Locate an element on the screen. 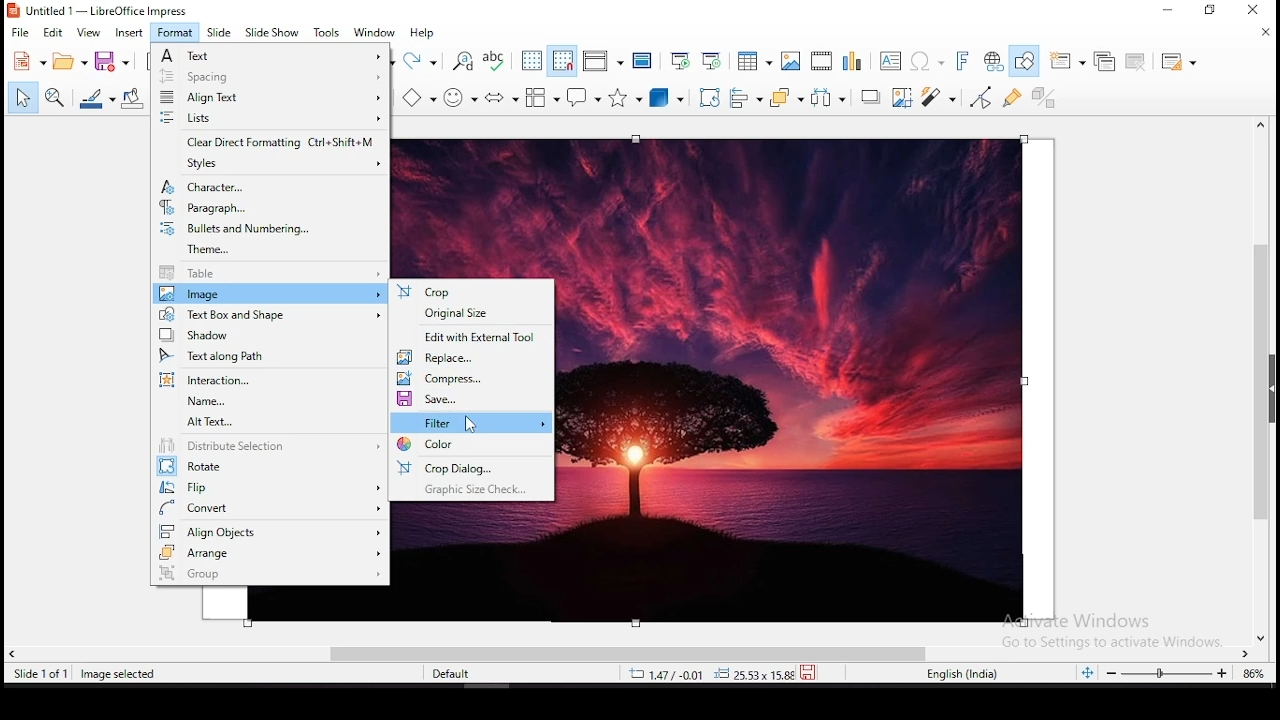  group is located at coordinates (272, 575).